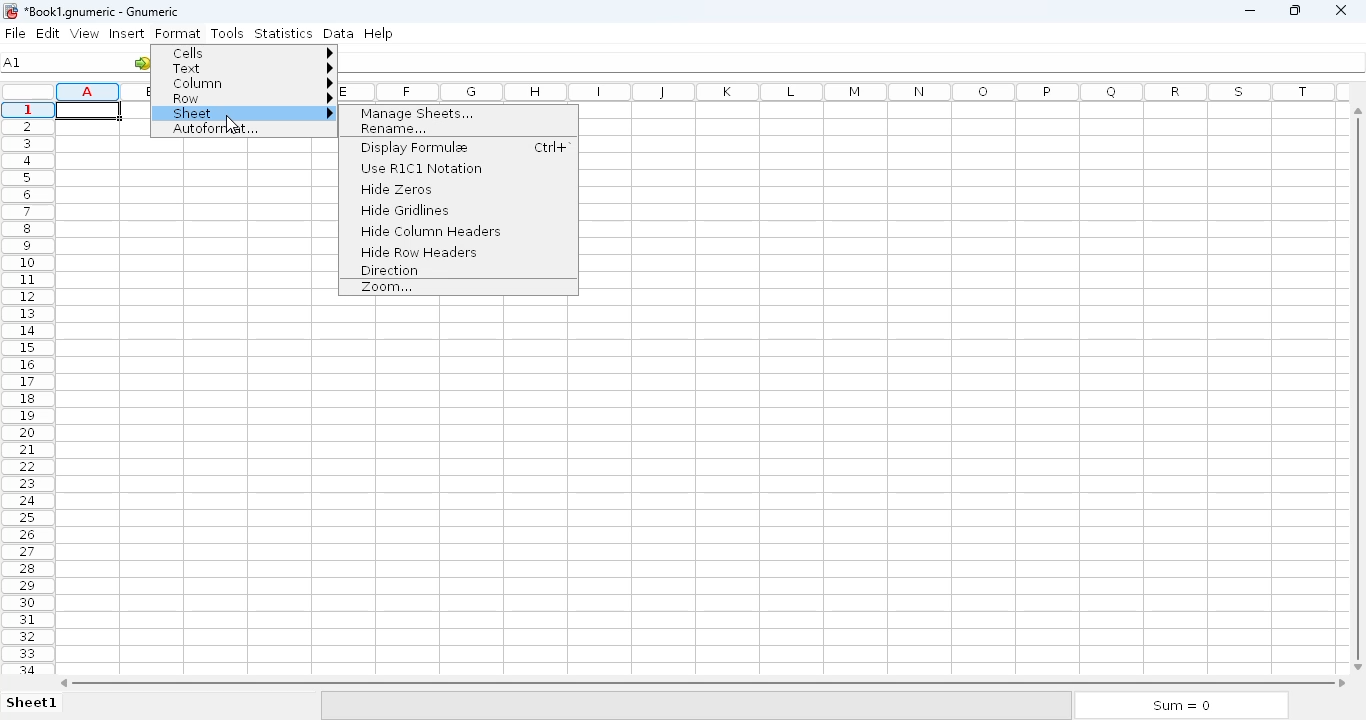 The image size is (1366, 720). Describe the element at coordinates (1361, 387) in the screenshot. I see `vertical scroll bar` at that location.